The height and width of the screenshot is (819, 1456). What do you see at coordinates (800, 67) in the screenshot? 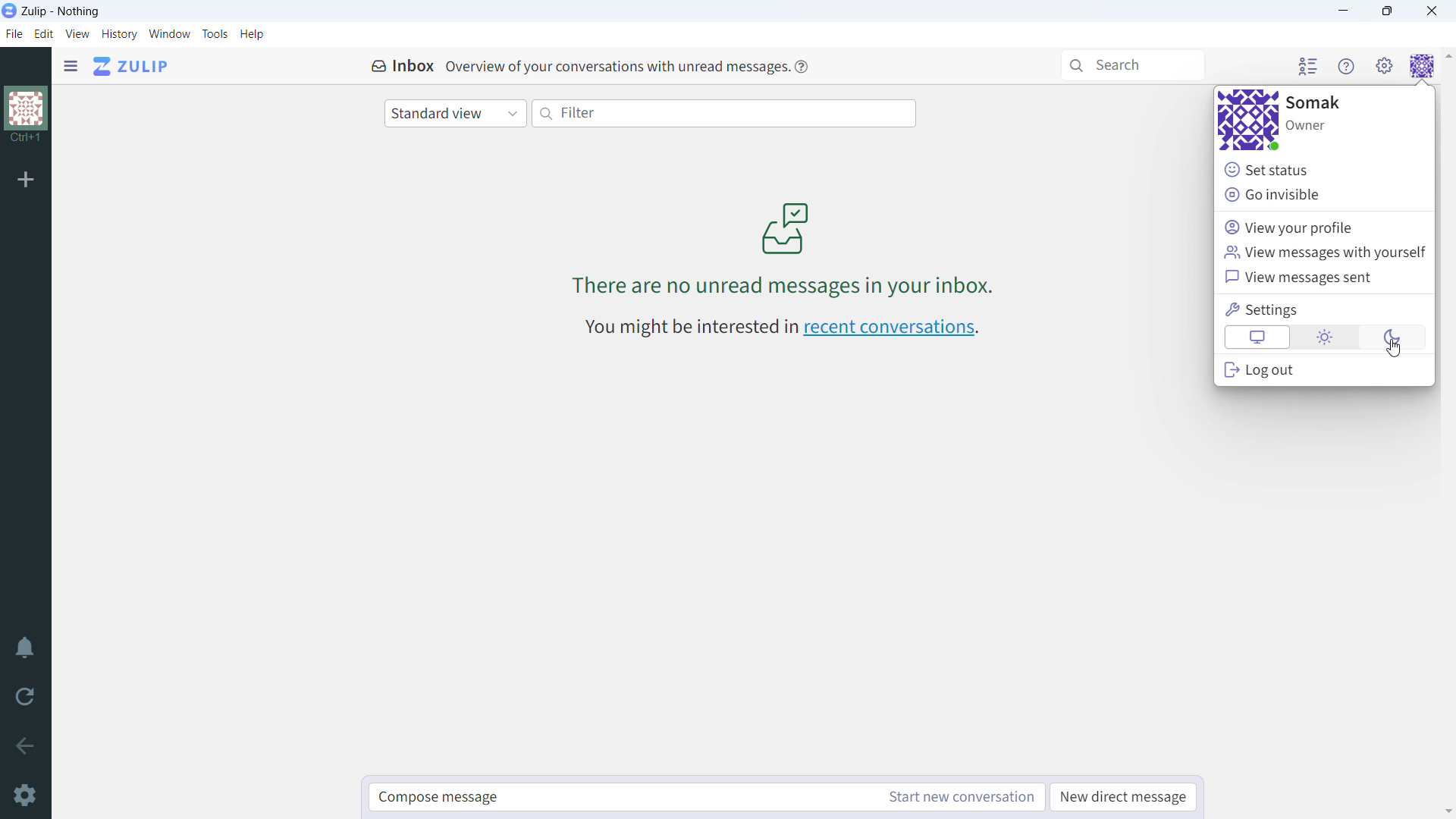
I see `help` at bounding box center [800, 67].